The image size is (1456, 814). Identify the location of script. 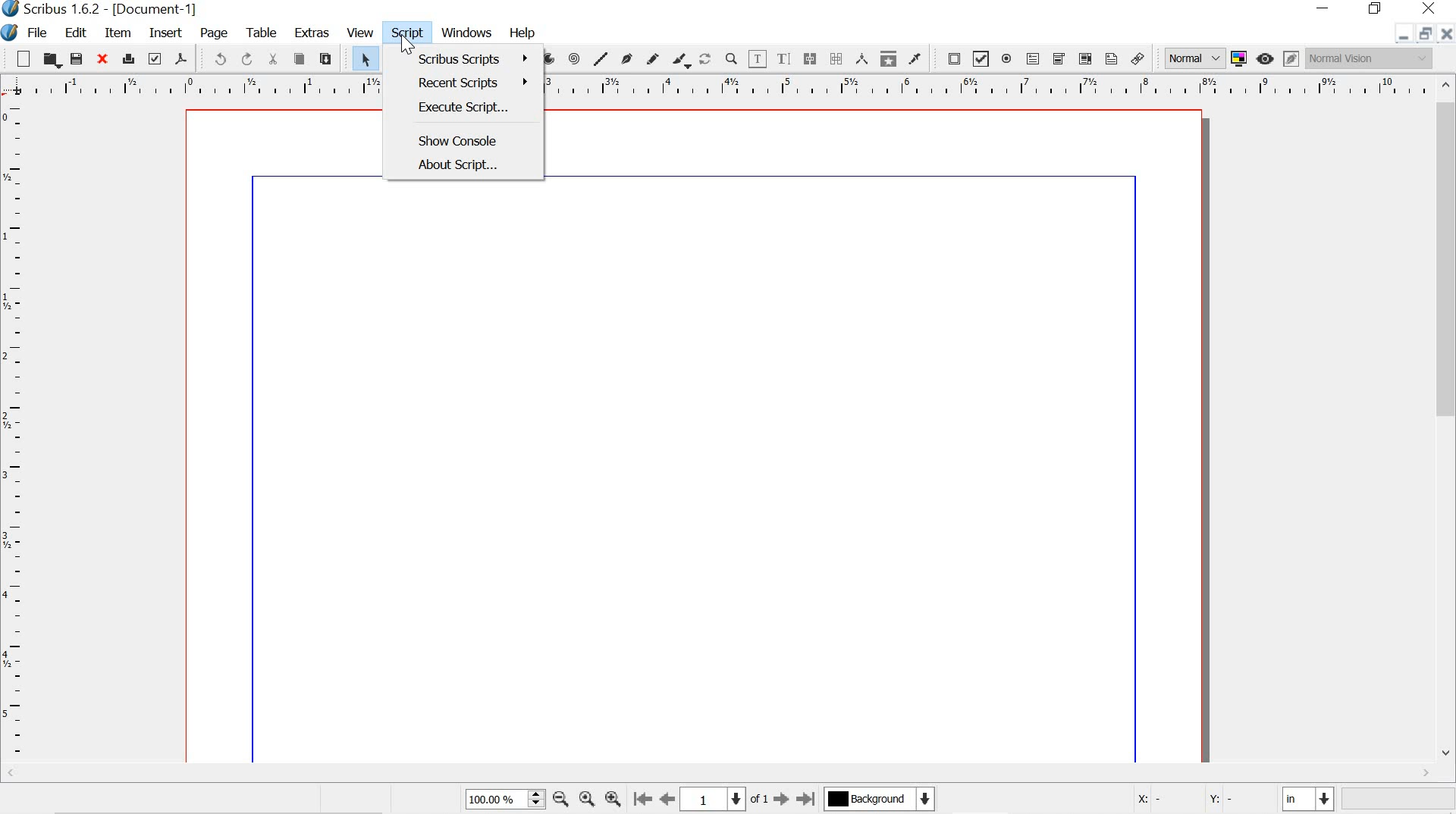
(408, 33).